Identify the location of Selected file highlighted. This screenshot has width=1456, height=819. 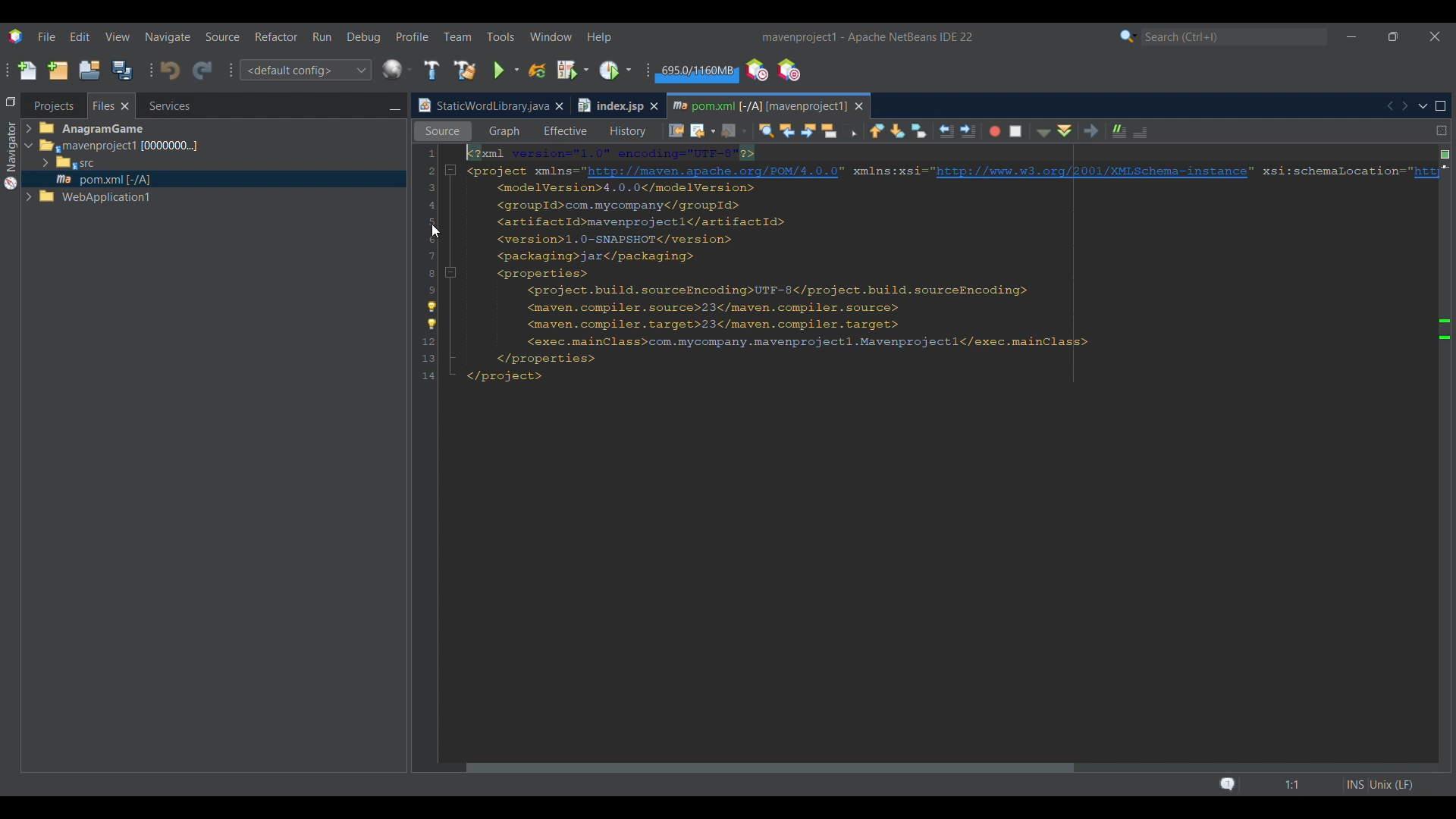
(214, 179).